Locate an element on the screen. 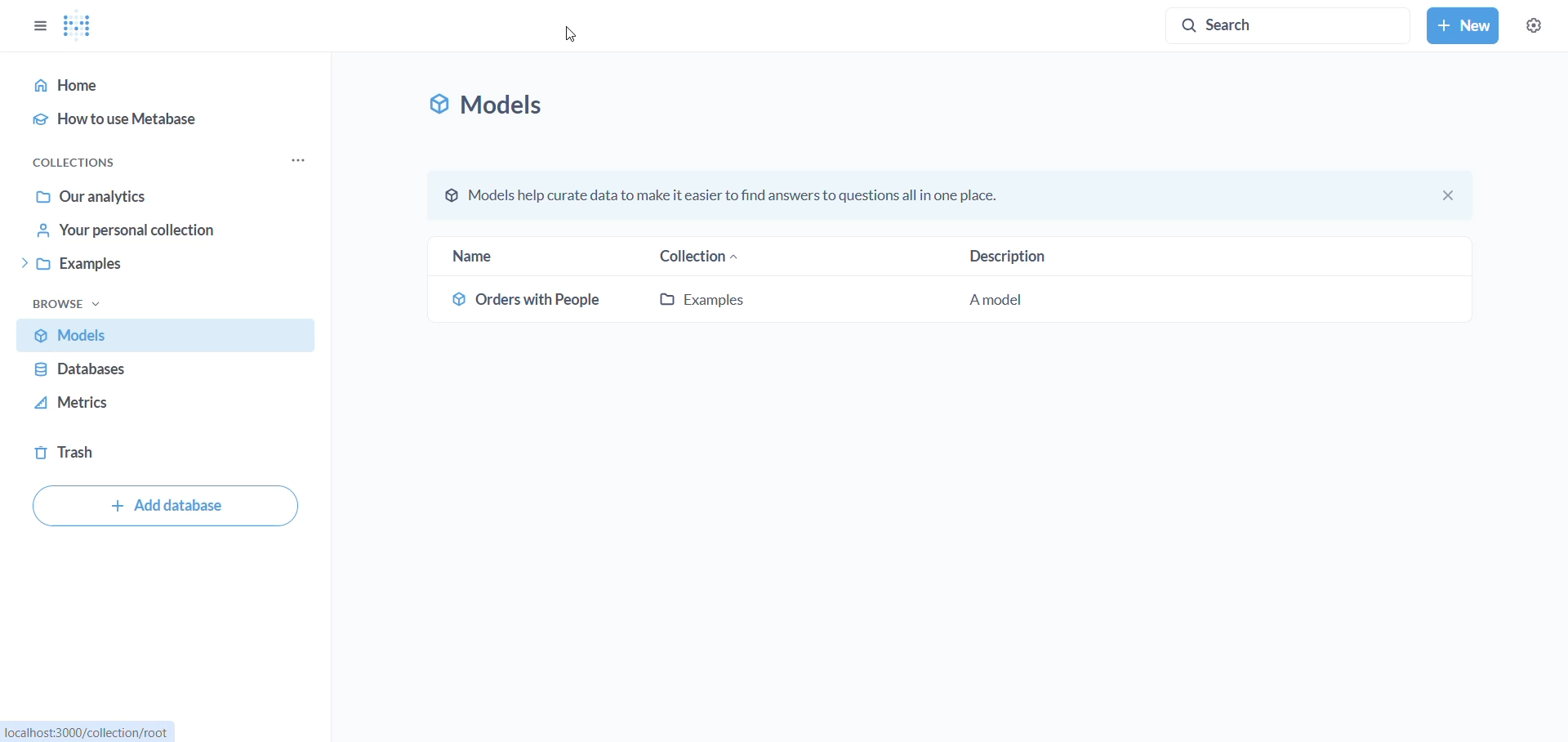  home is located at coordinates (160, 87).